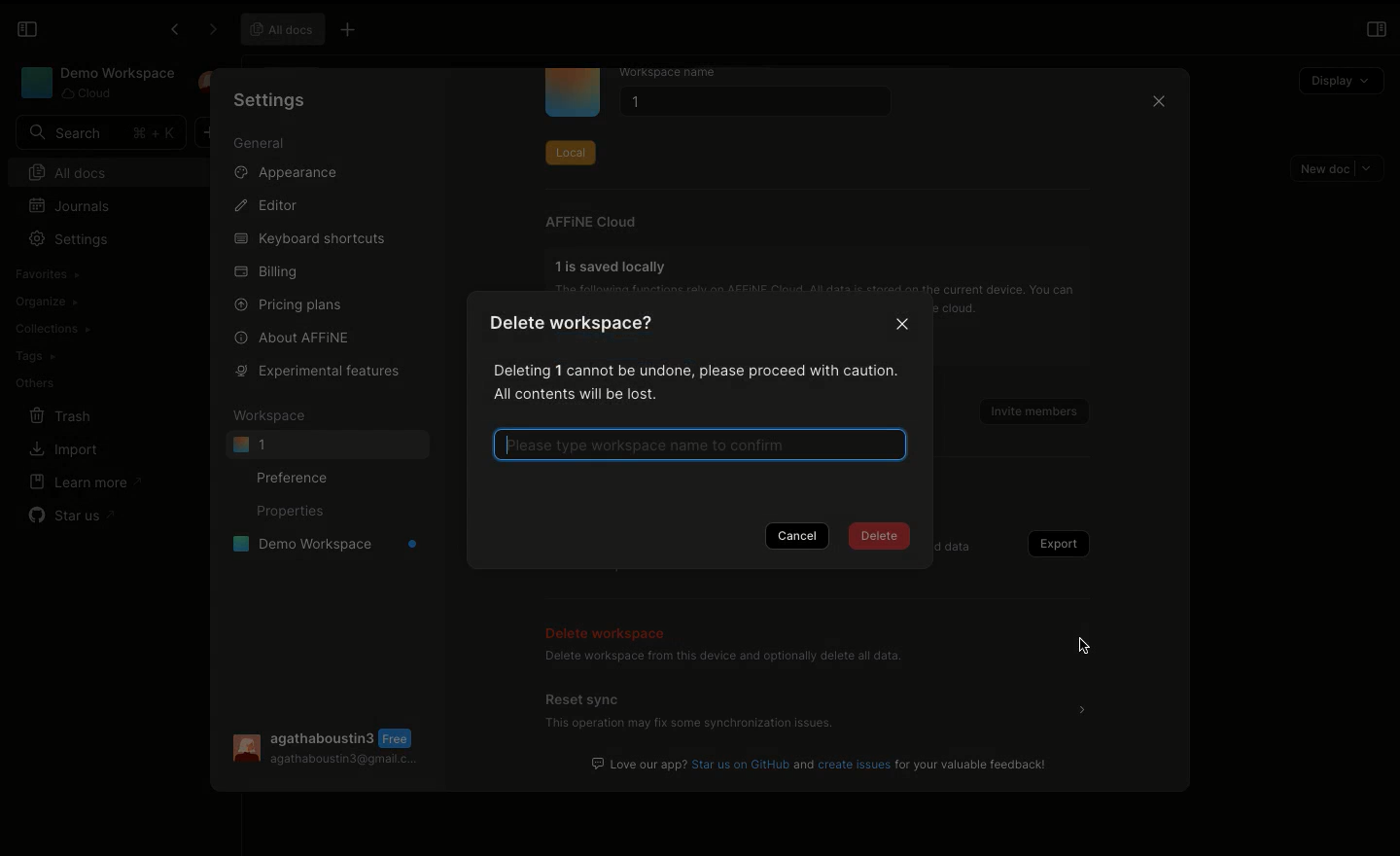 Image resolution: width=1400 pixels, height=856 pixels. I want to click on agathaboustin3, so click(324, 736).